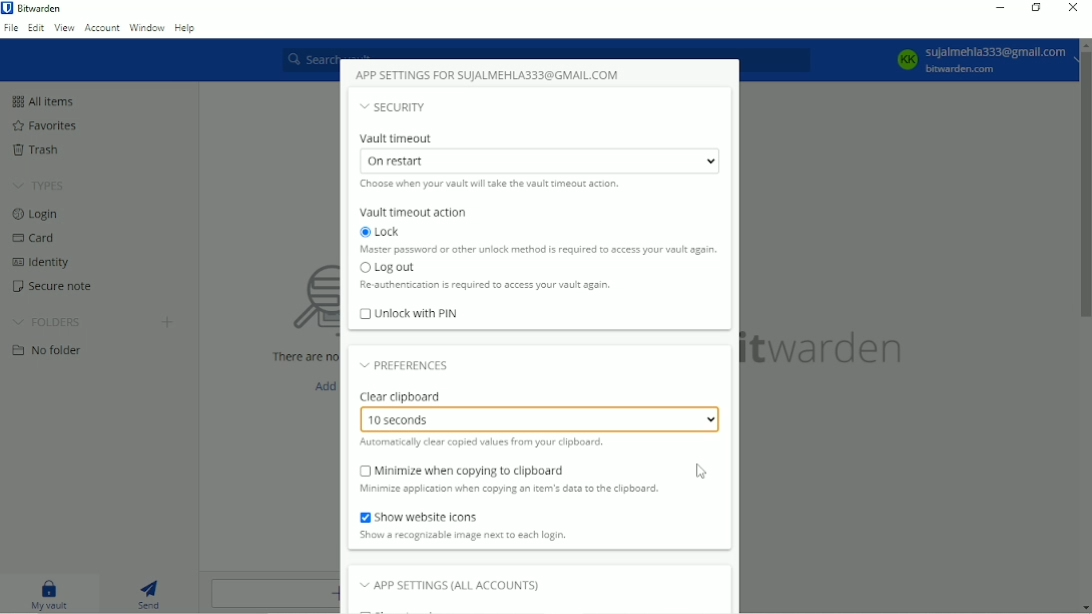 Image resolution: width=1092 pixels, height=614 pixels. I want to click on Card, so click(40, 238).